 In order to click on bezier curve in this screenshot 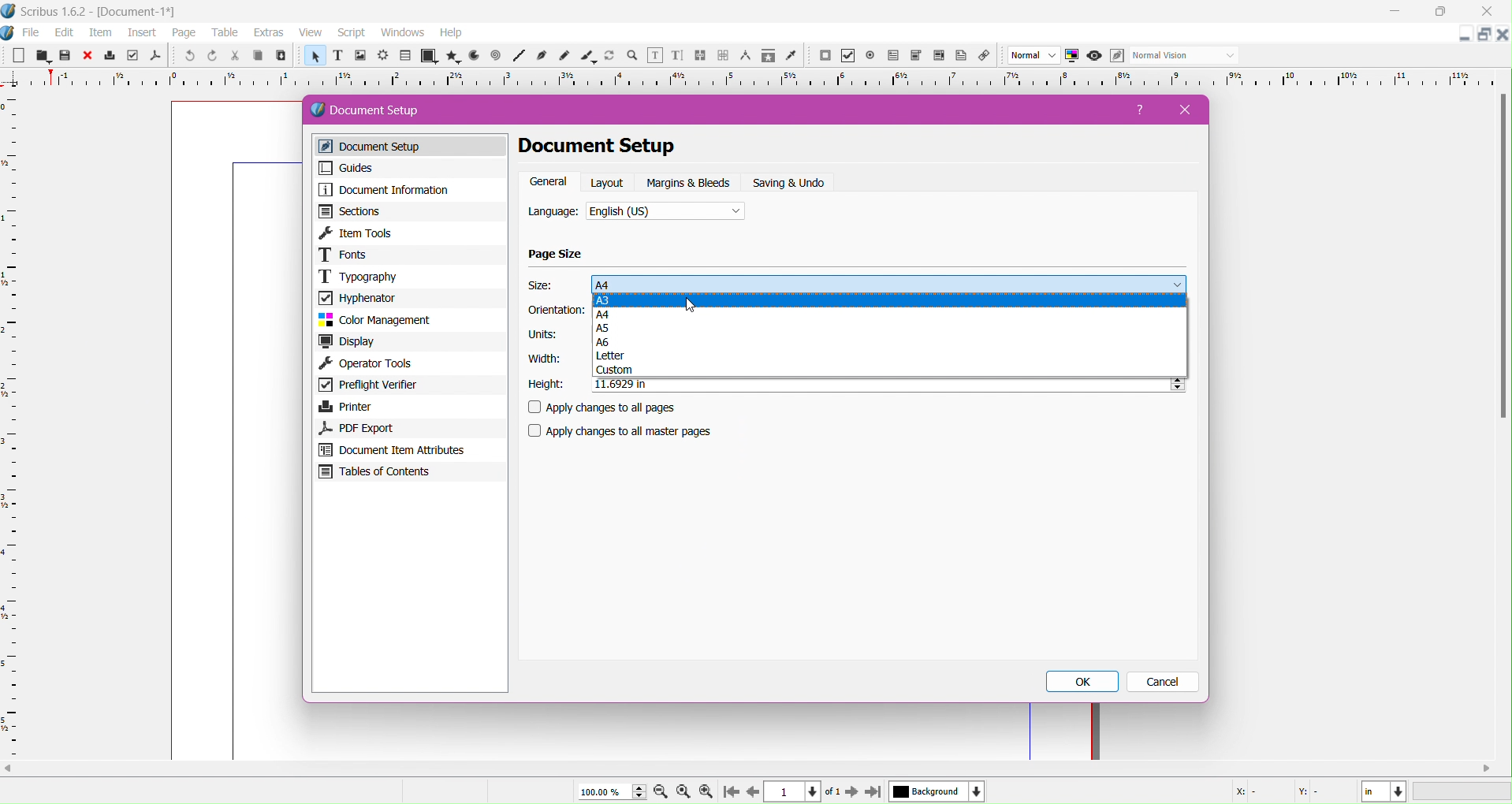, I will do `click(543, 56)`.